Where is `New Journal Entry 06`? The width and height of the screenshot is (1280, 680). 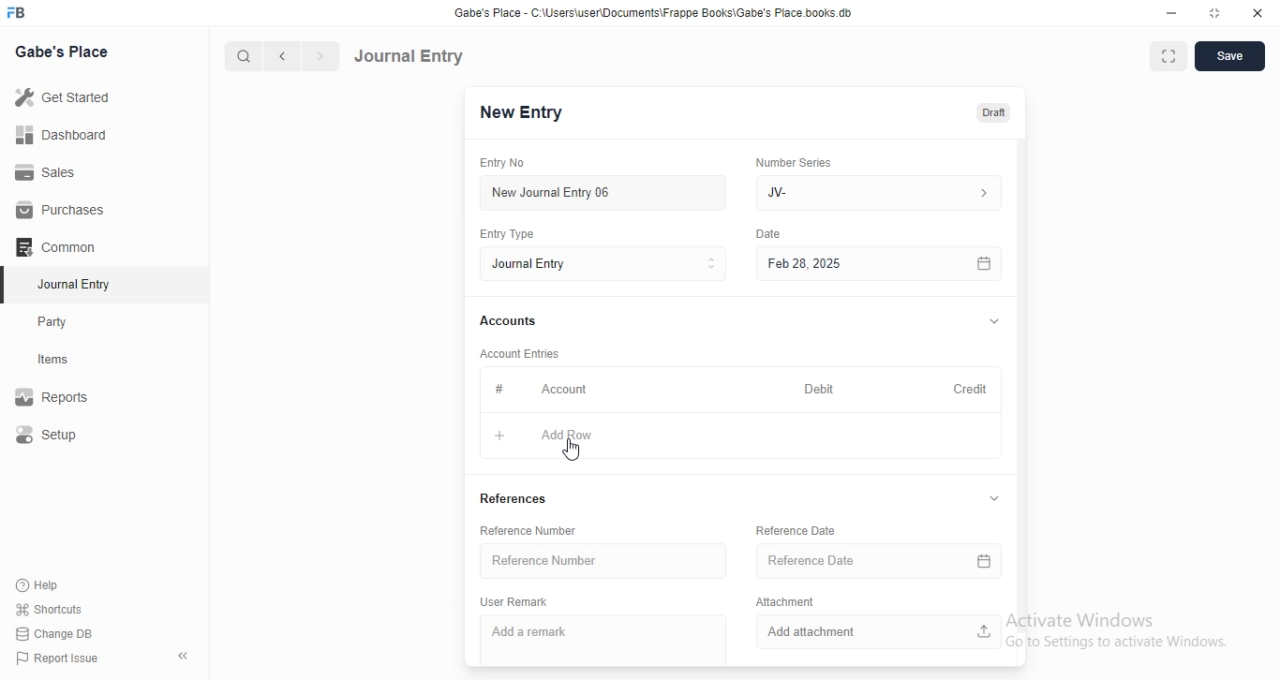 New Journal Entry 06 is located at coordinates (597, 191).